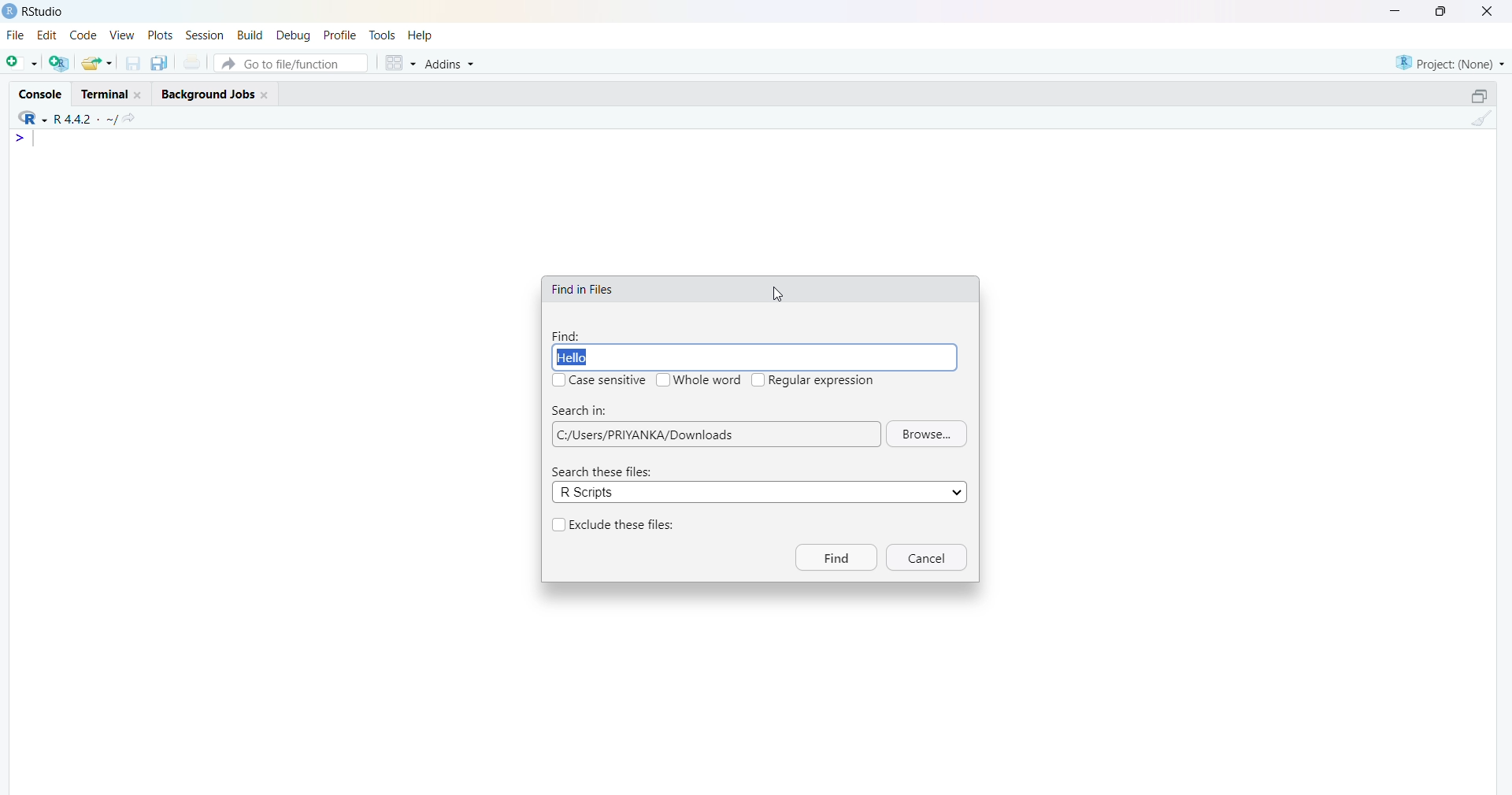 This screenshot has height=795, width=1512. I want to click on Exclude these files:, so click(623, 526).